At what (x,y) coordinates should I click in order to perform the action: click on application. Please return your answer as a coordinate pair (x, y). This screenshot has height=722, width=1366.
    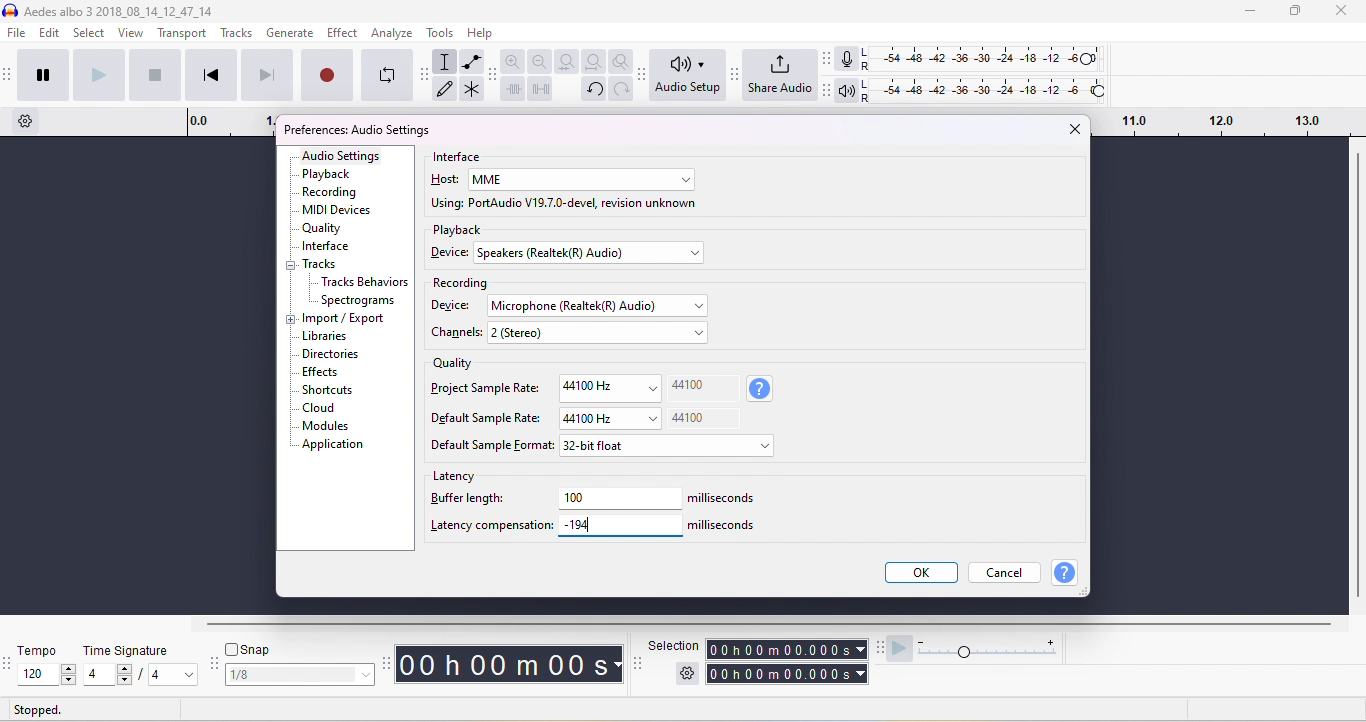
    Looking at the image, I should click on (333, 444).